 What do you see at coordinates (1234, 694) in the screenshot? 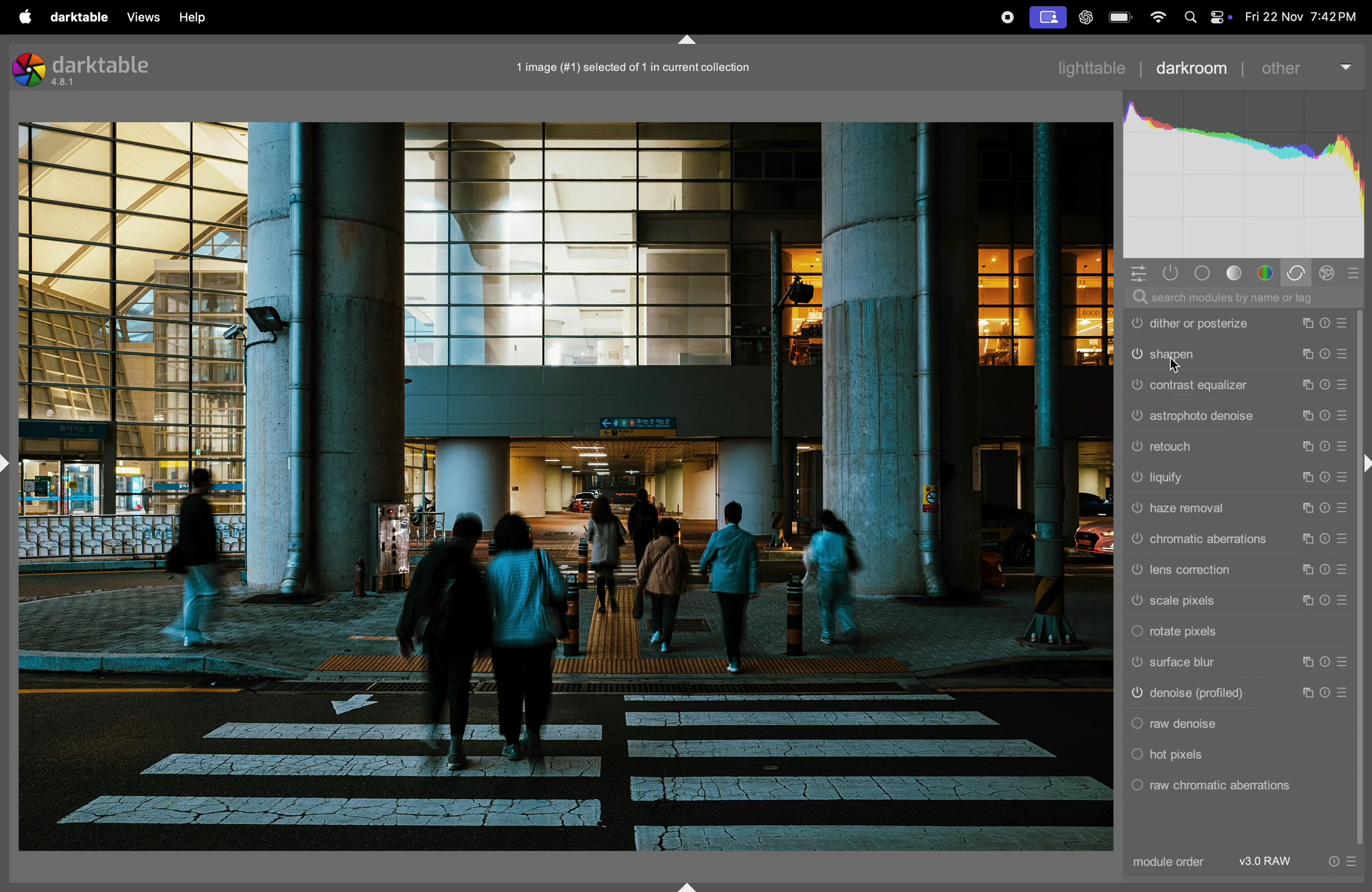
I see `denoise profiled` at bounding box center [1234, 694].